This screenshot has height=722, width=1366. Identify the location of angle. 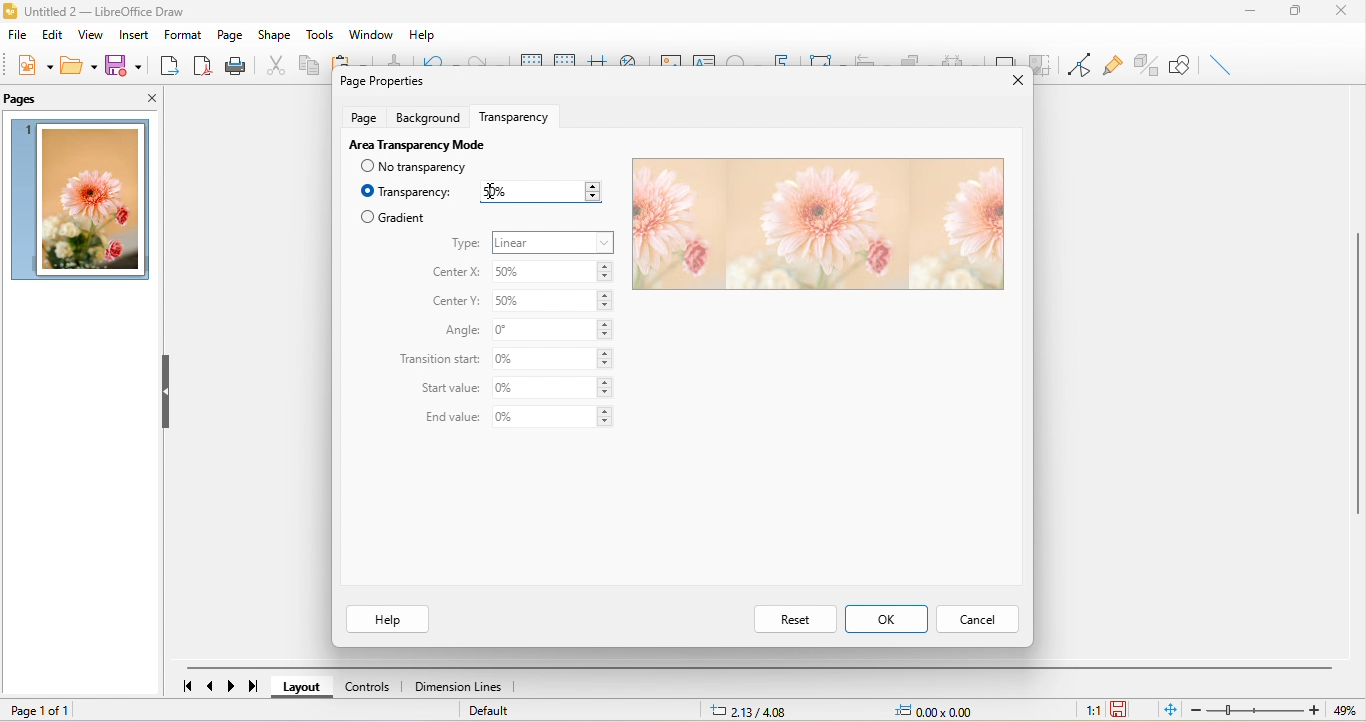
(458, 331).